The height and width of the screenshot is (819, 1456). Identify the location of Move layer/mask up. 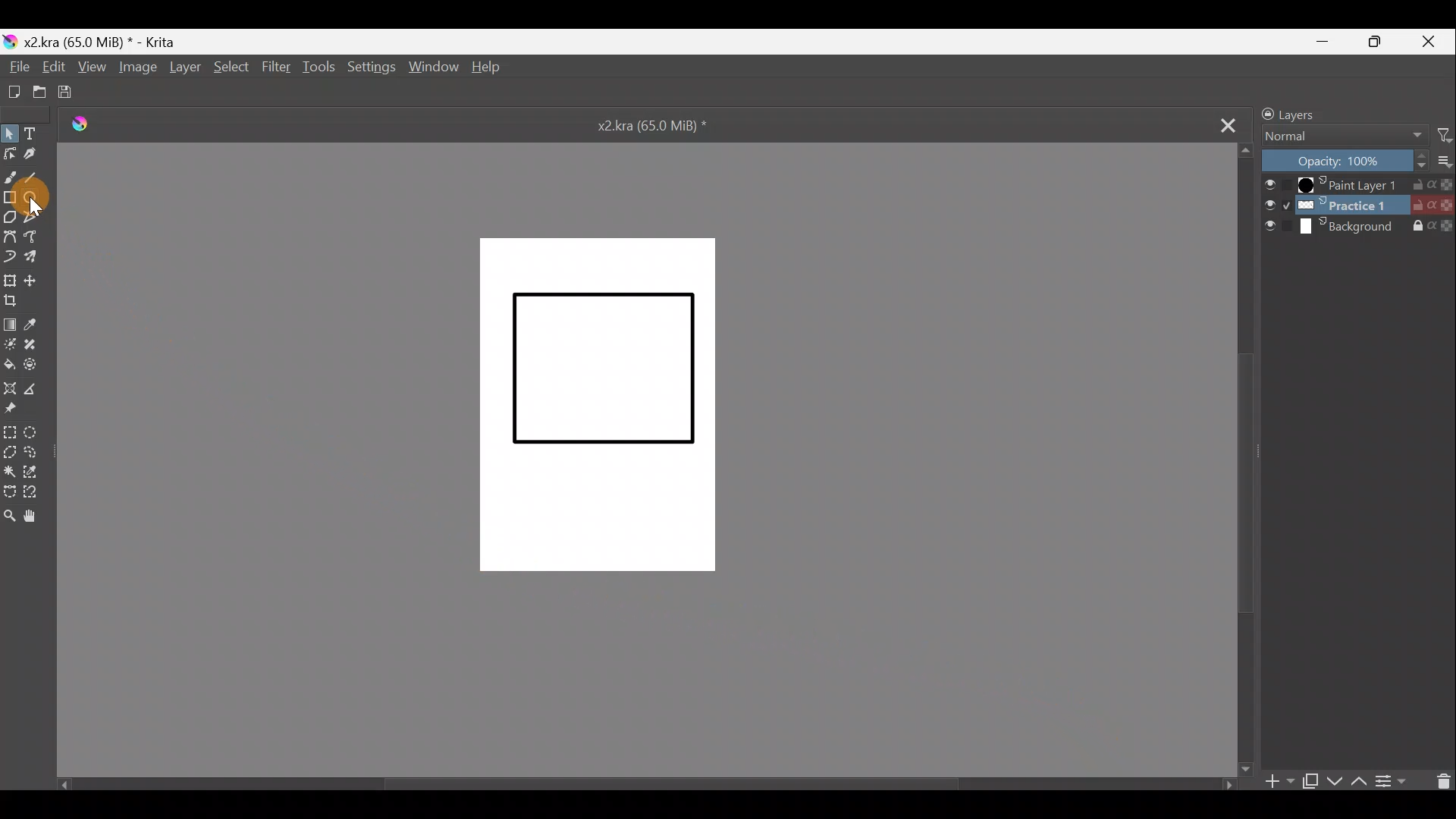
(1357, 778).